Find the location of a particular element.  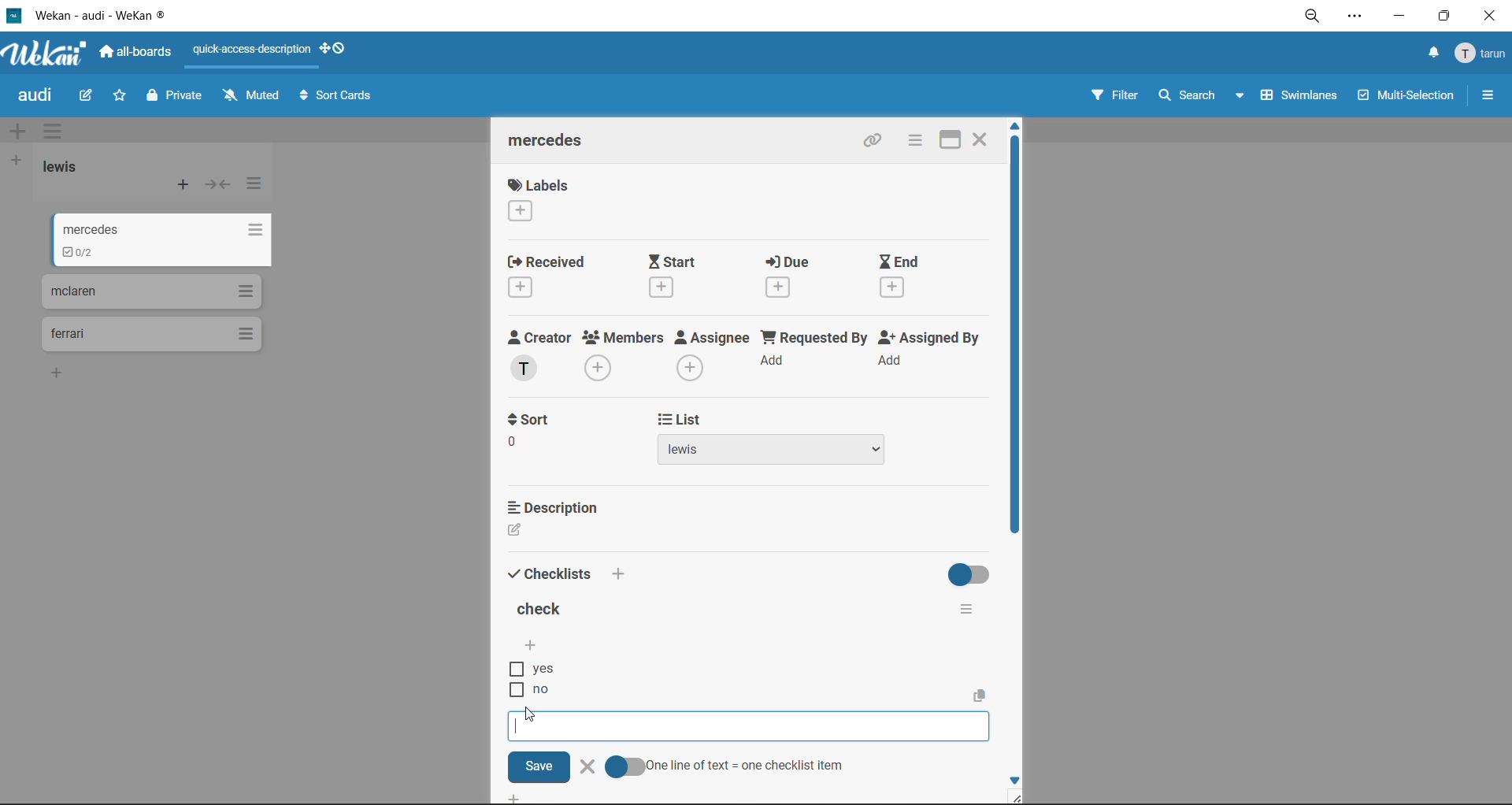

add checklist  is located at coordinates (534, 644).